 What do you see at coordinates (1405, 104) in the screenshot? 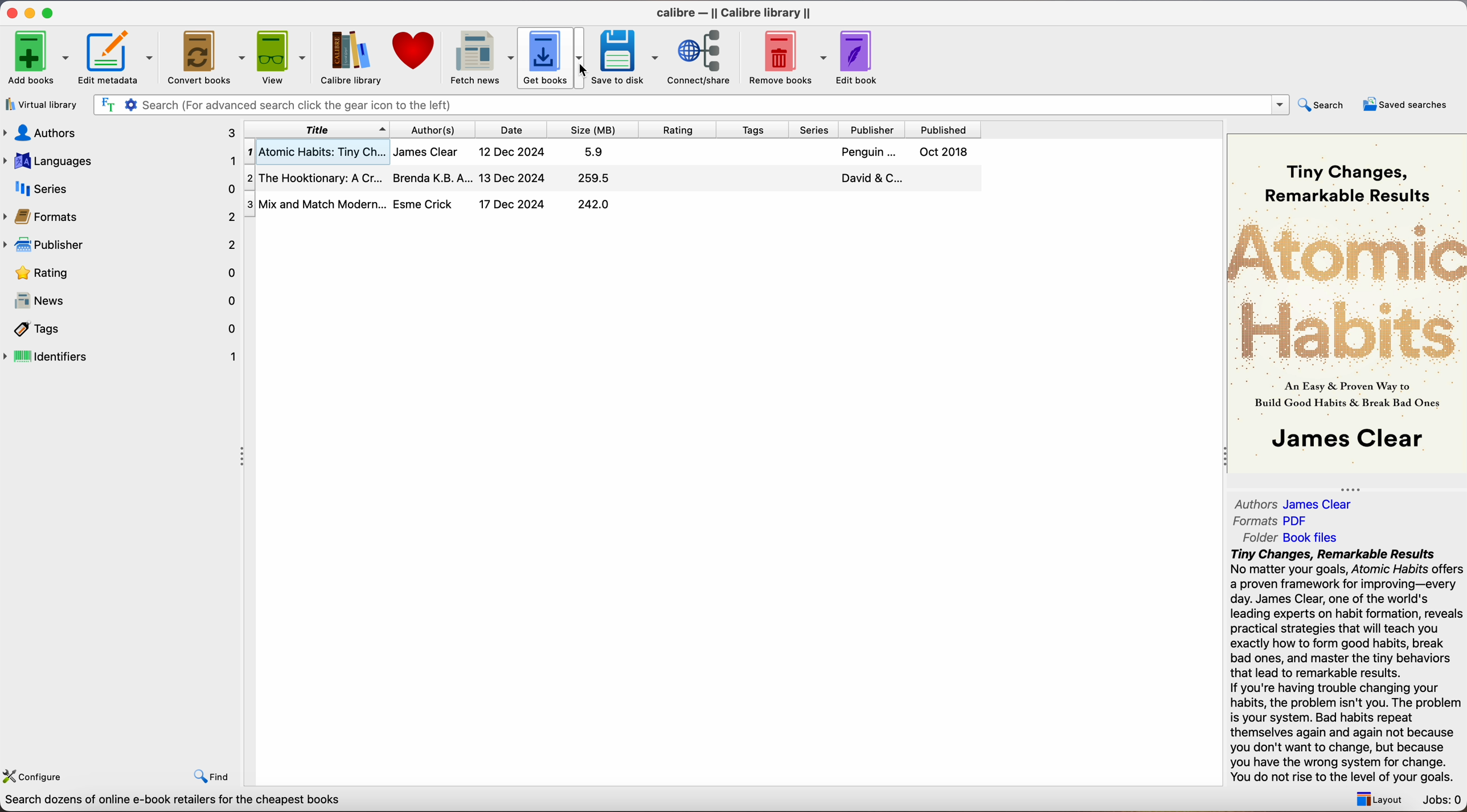
I see `saved searches` at bounding box center [1405, 104].